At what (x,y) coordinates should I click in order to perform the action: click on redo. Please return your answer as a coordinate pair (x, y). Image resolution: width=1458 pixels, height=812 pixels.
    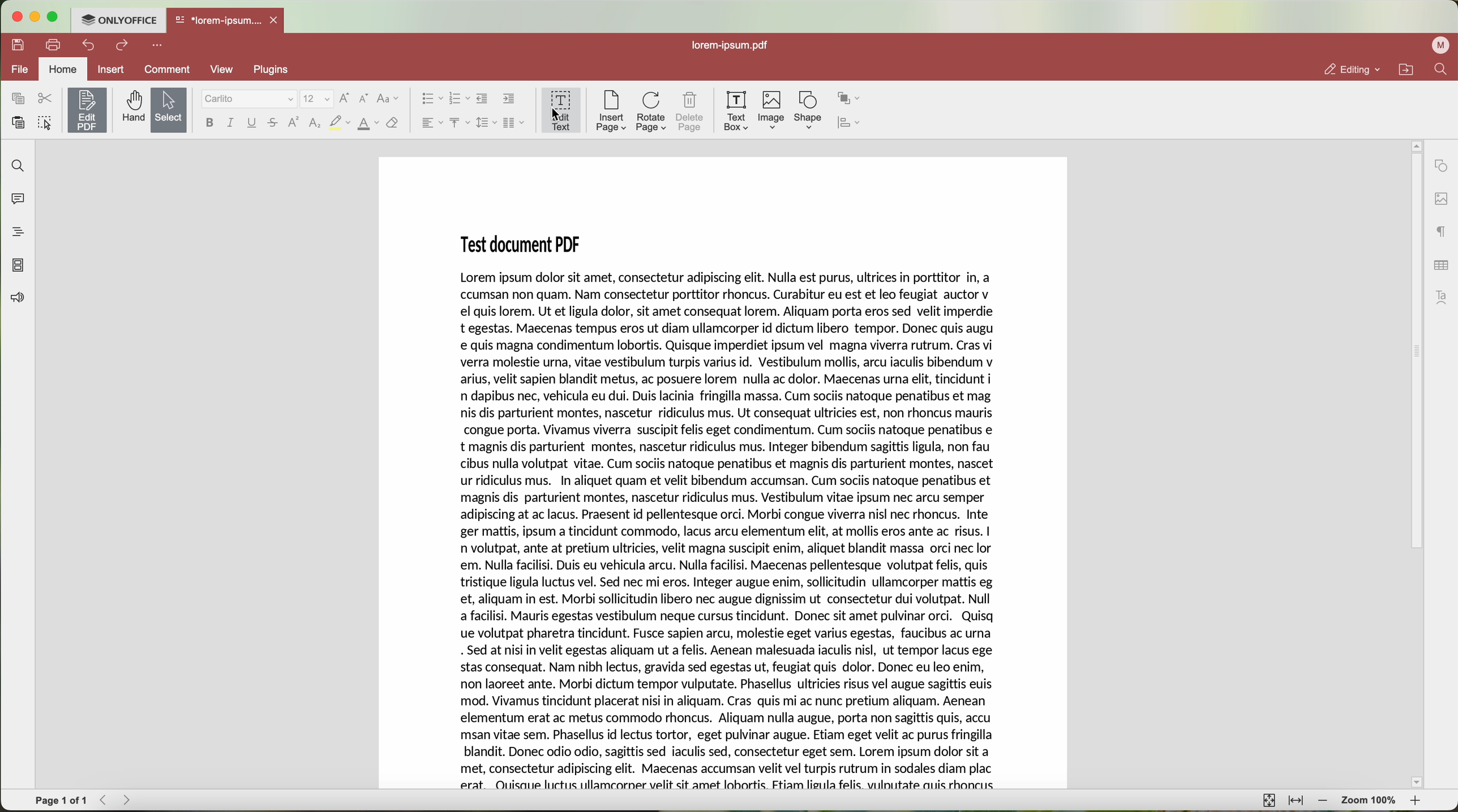
    Looking at the image, I should click on (123, 45).